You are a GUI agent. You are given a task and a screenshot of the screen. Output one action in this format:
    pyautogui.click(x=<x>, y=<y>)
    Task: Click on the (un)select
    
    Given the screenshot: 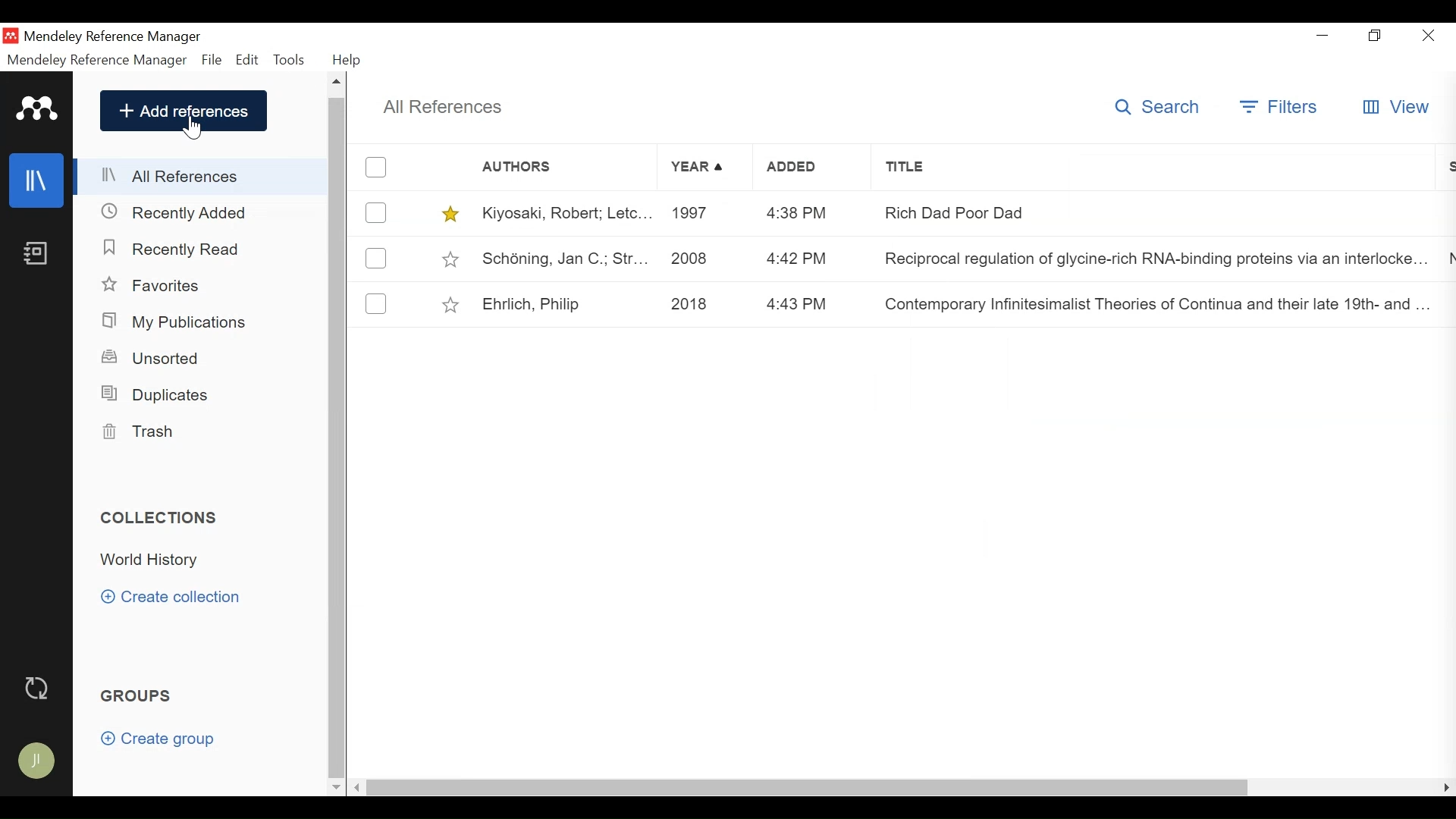 What is the action you would take?
    pyautogui.click(x=376, y=303)
    